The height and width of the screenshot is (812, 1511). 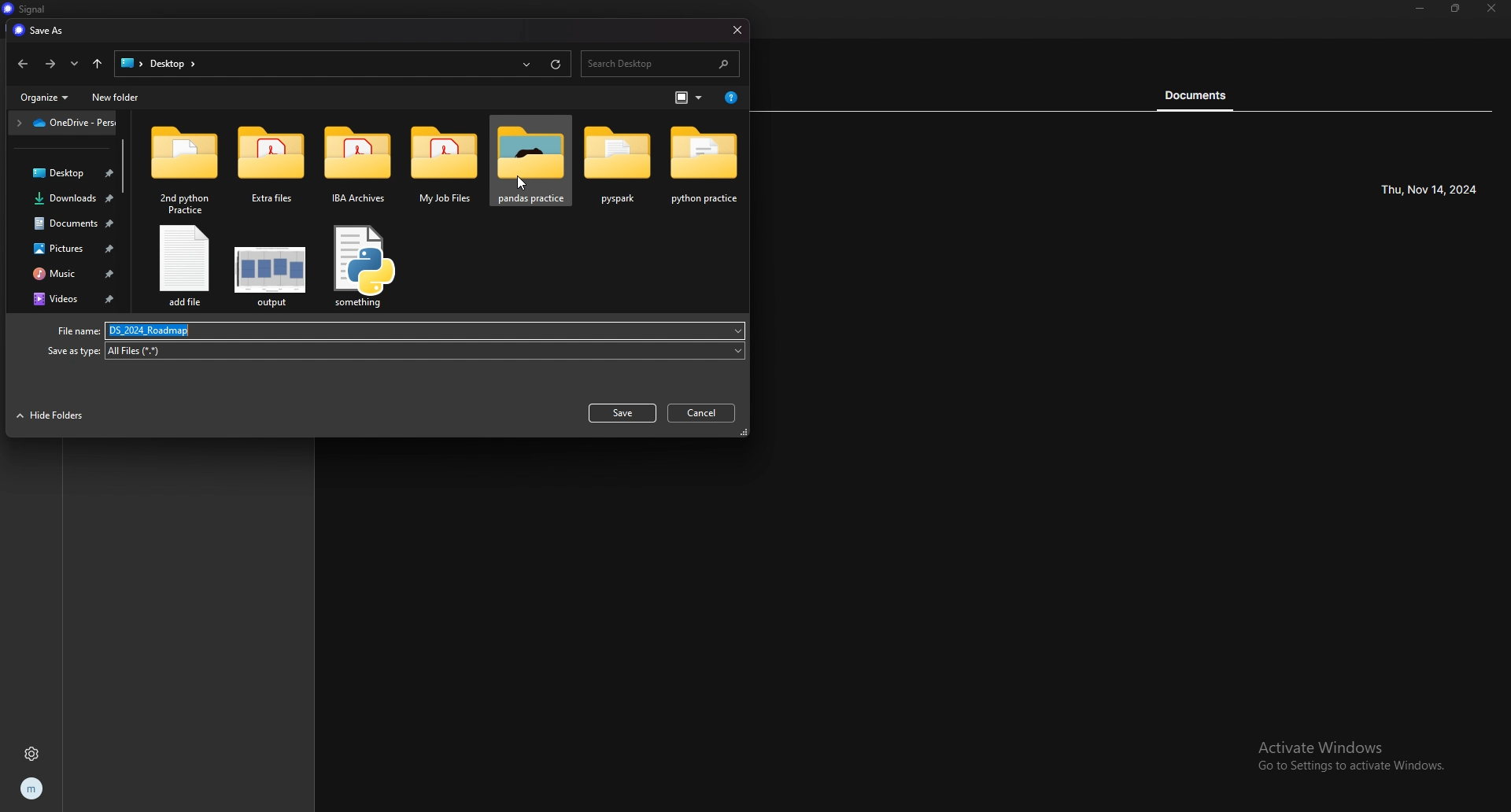 I want to click on cancel, so click(x=701, y=413).